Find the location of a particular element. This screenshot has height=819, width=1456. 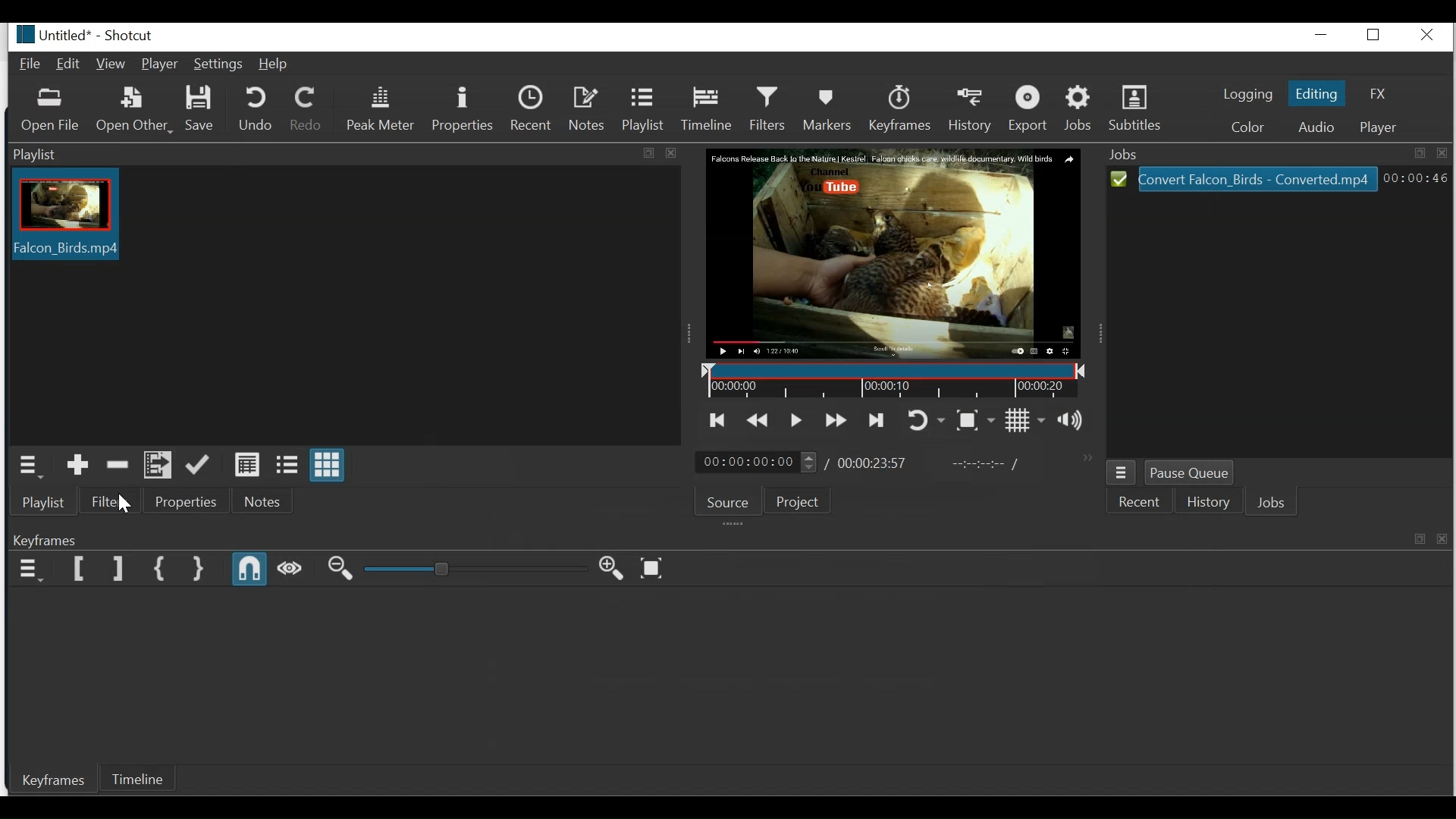

In point is located at coordinates (984, 463).